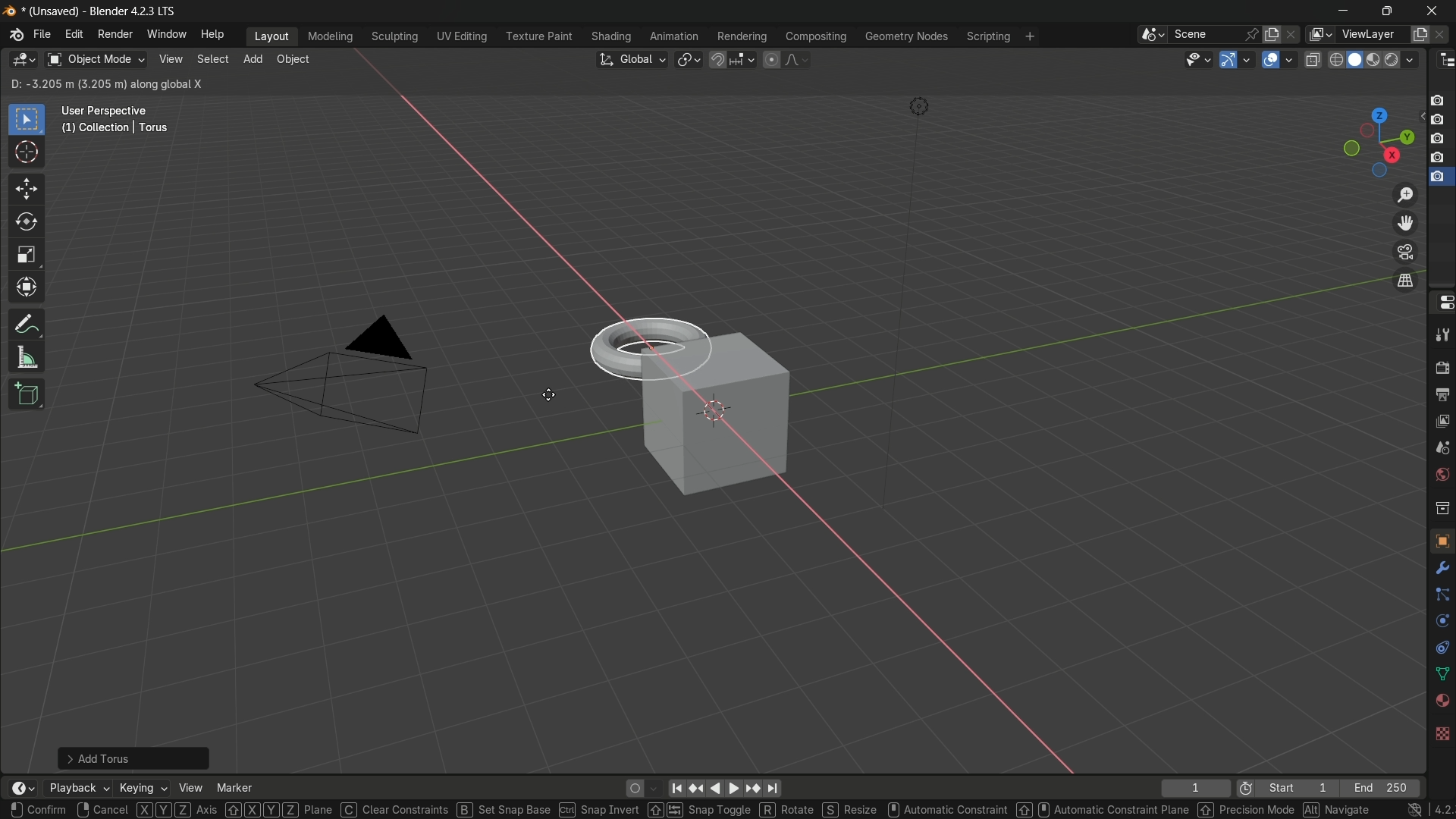 The image size is (1456, 819). I want to click on Resize, so click(853, 810).